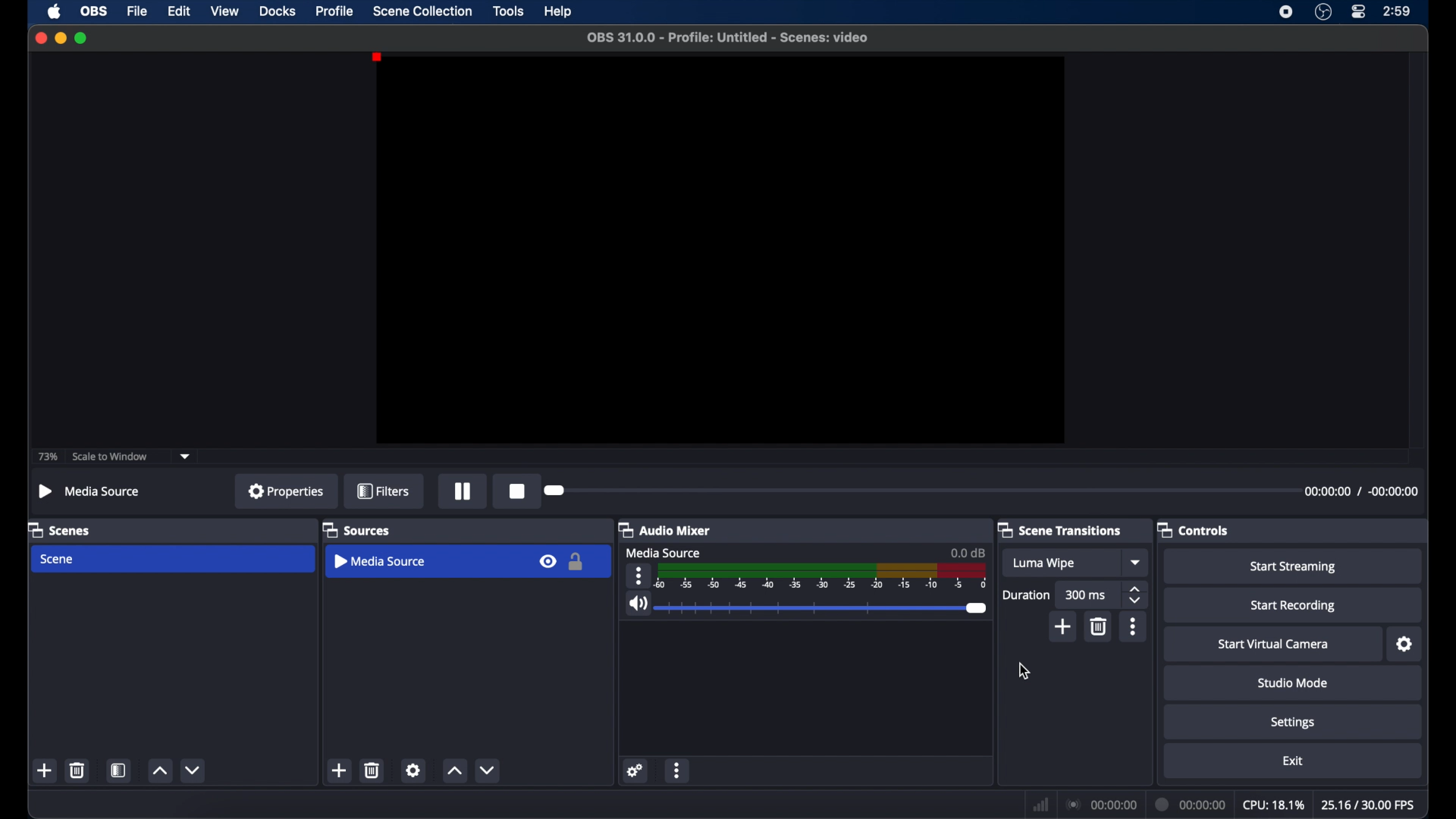 Image resolution: width=1456 pixels, height=819 pixels. Describe the element at coordinates (1192, 529) in the screenshot. I see `controls` at that location.